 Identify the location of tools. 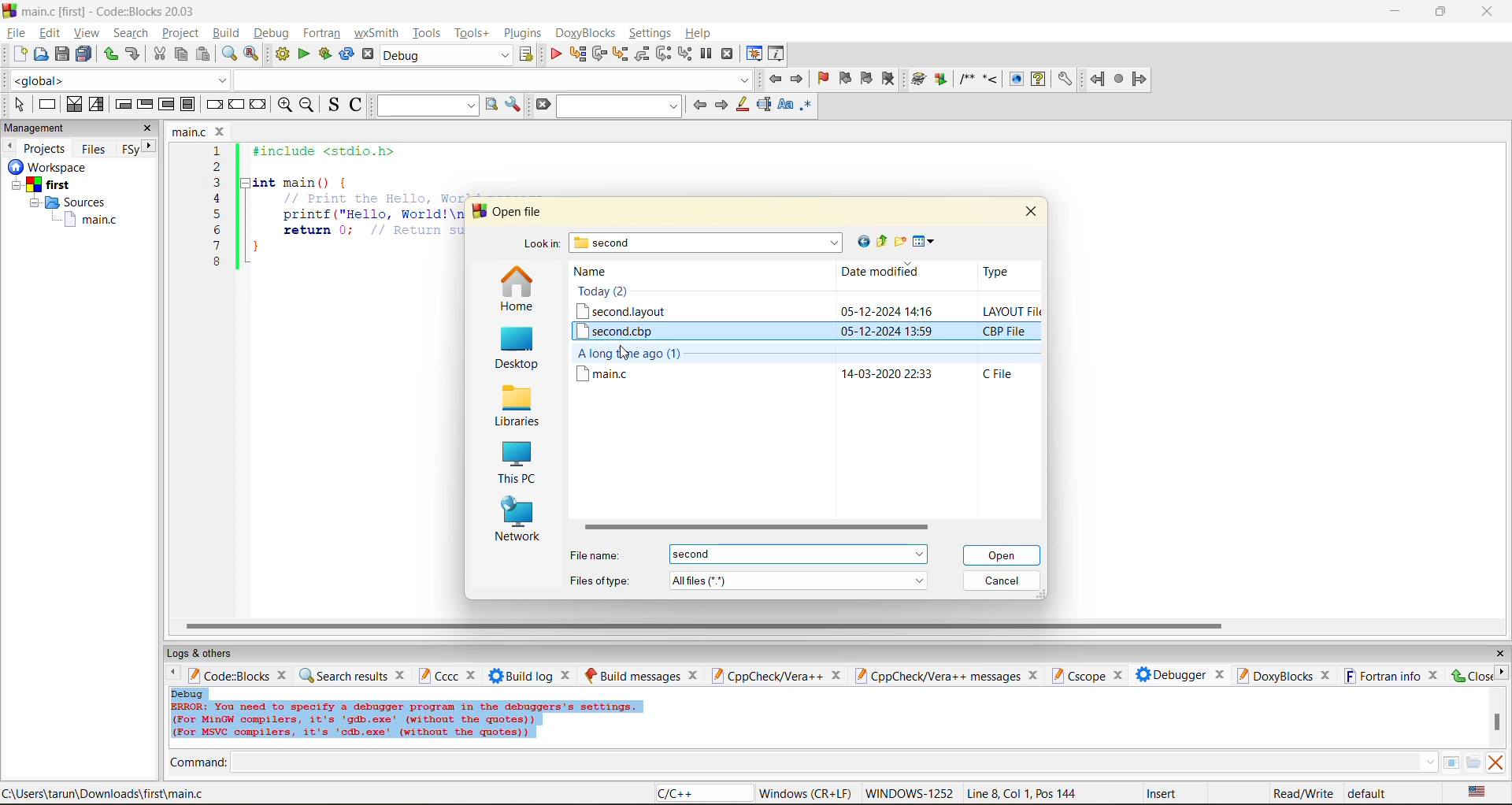
(428, 32).